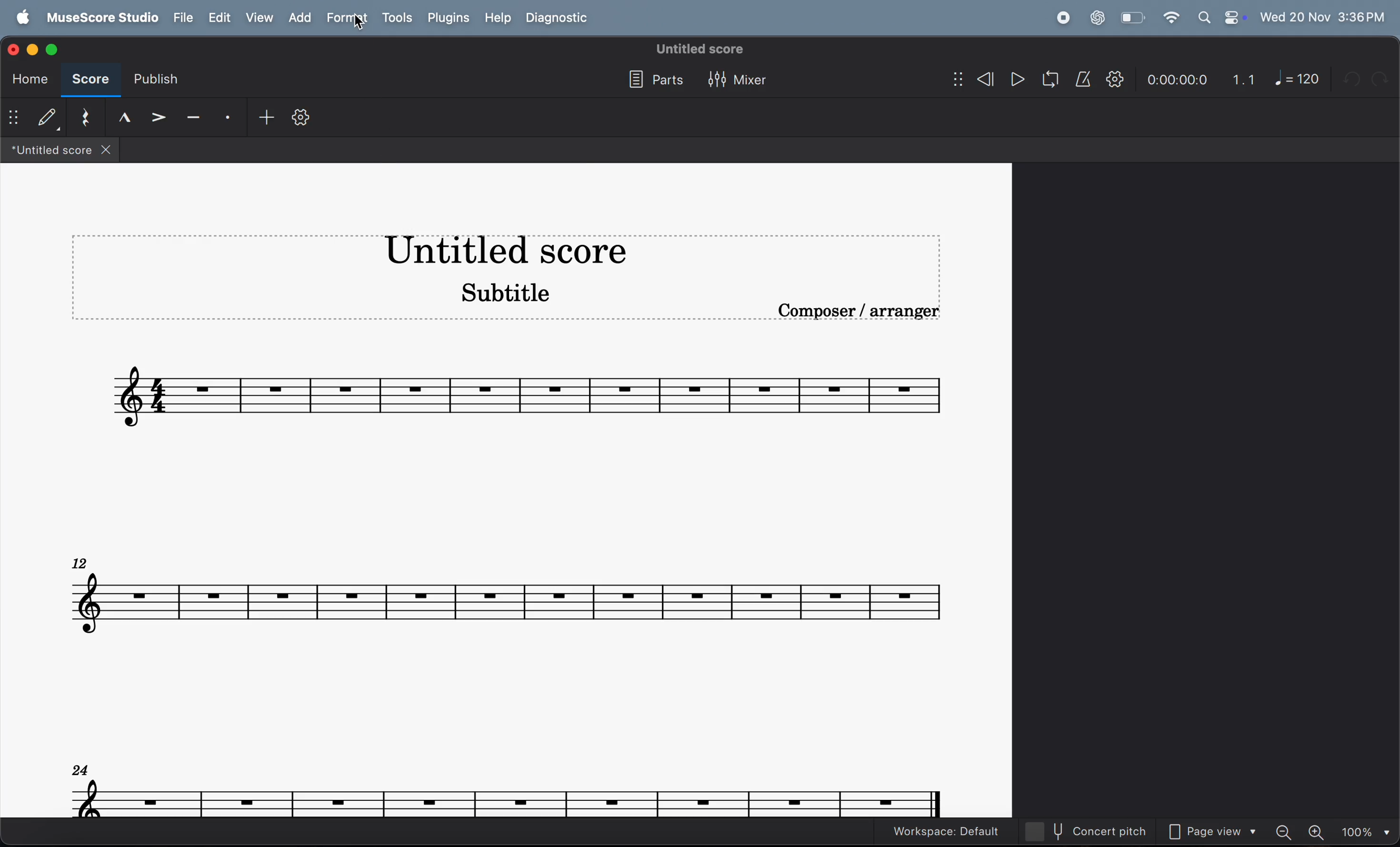 Image resolution: width=1400 pixels, height=847 pixels. What do you see at coordinates (531, 392) in the screenshot?
I see `notes` at bounding box center [531, 392].